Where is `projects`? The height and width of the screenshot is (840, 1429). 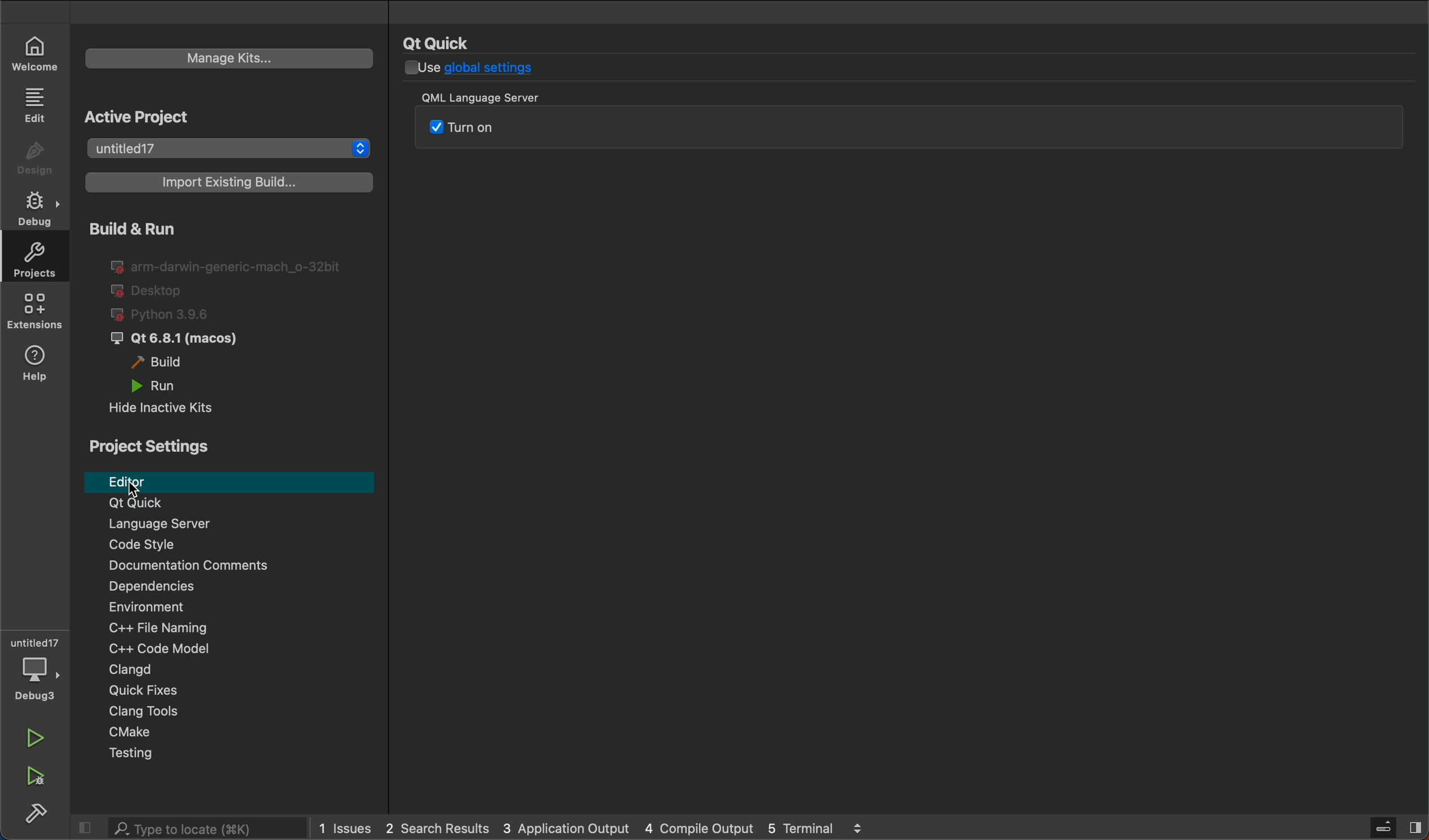 projects is located at coordinates (32, 257).